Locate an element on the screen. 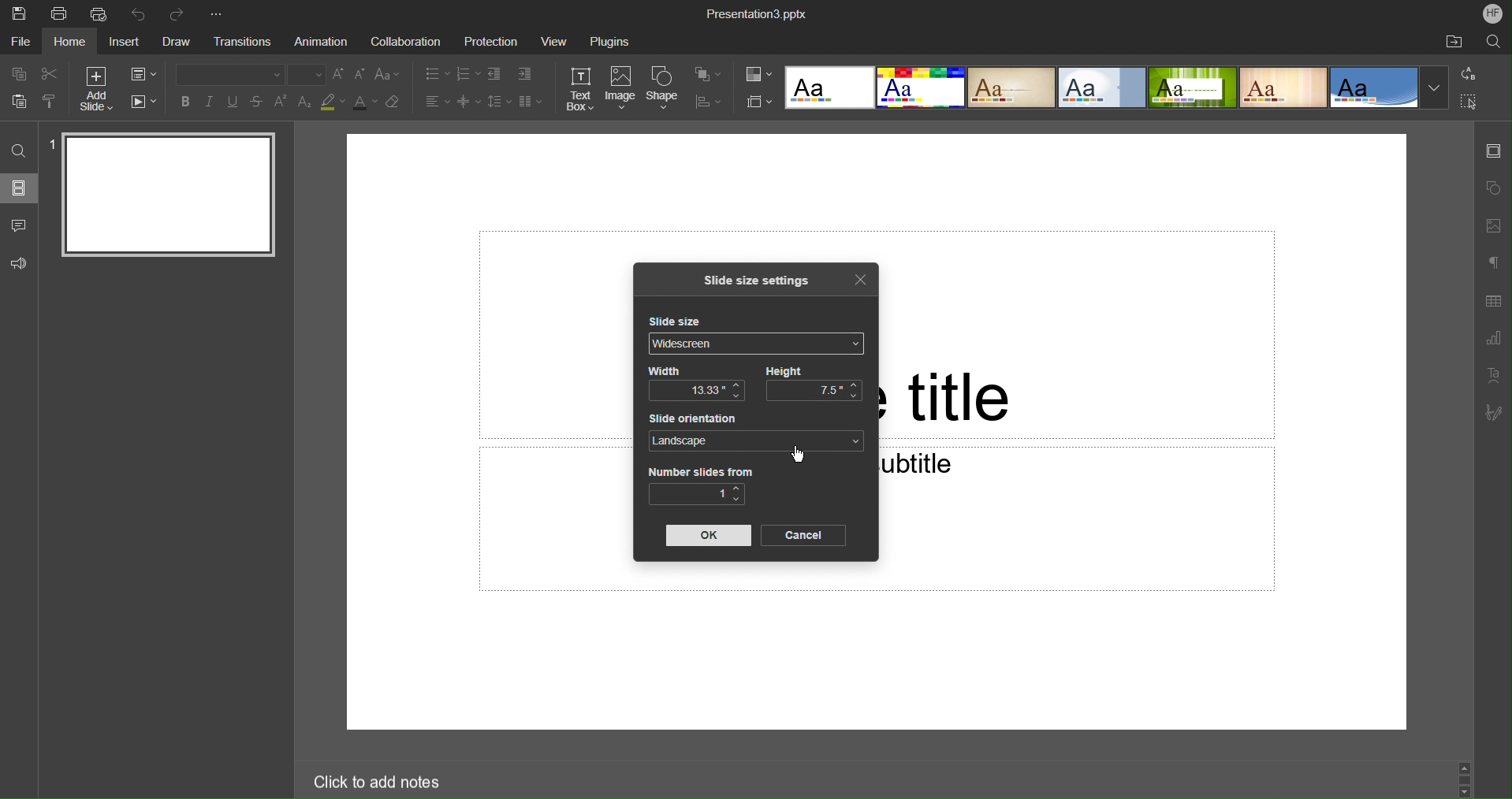  Select All is located at coordinates (1470, 102).